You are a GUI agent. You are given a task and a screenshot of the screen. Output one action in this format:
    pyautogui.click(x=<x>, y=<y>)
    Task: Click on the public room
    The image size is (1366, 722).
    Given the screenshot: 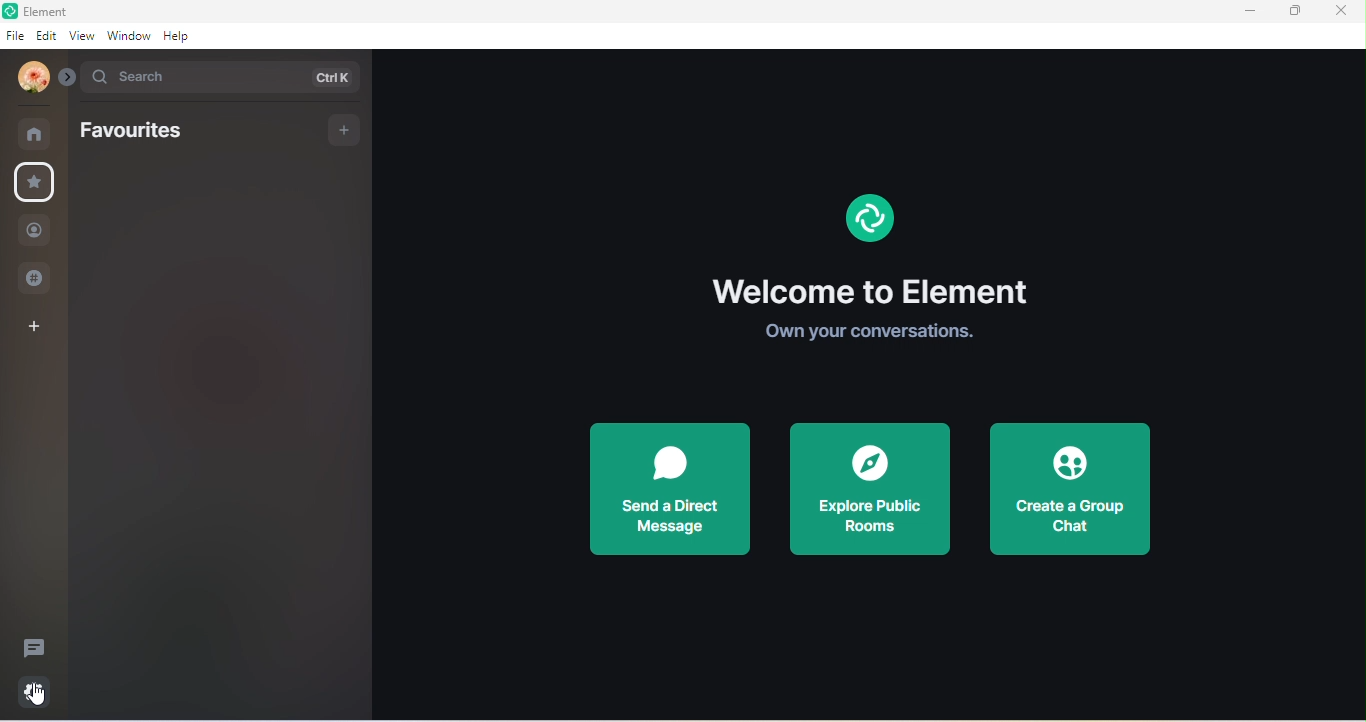 What is the action you would take?
    pyautogui.click(x=33, y=278)
    